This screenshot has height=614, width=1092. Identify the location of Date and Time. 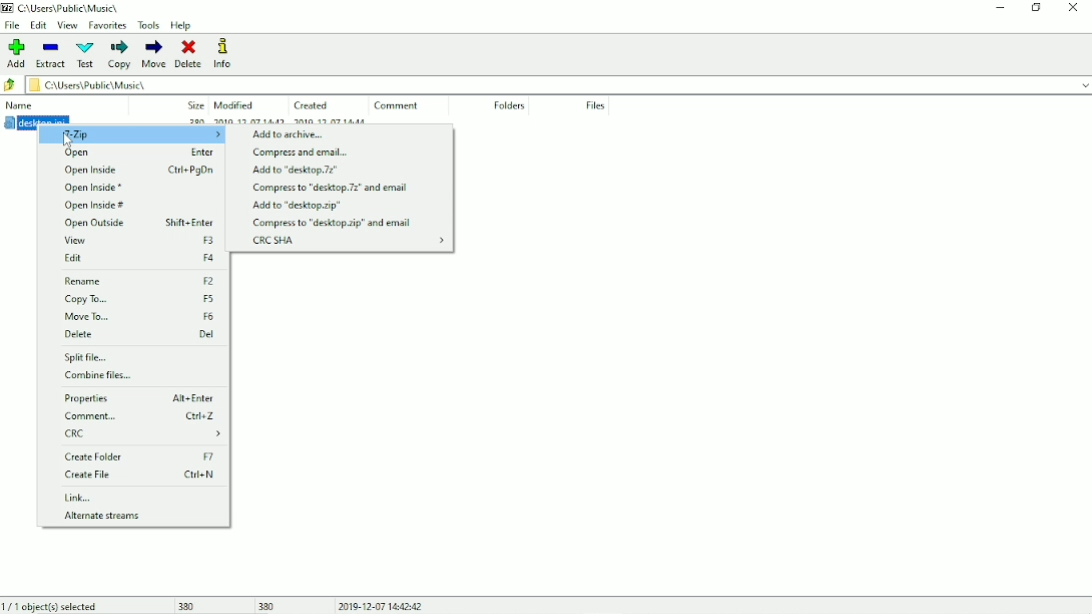
(380, 604).